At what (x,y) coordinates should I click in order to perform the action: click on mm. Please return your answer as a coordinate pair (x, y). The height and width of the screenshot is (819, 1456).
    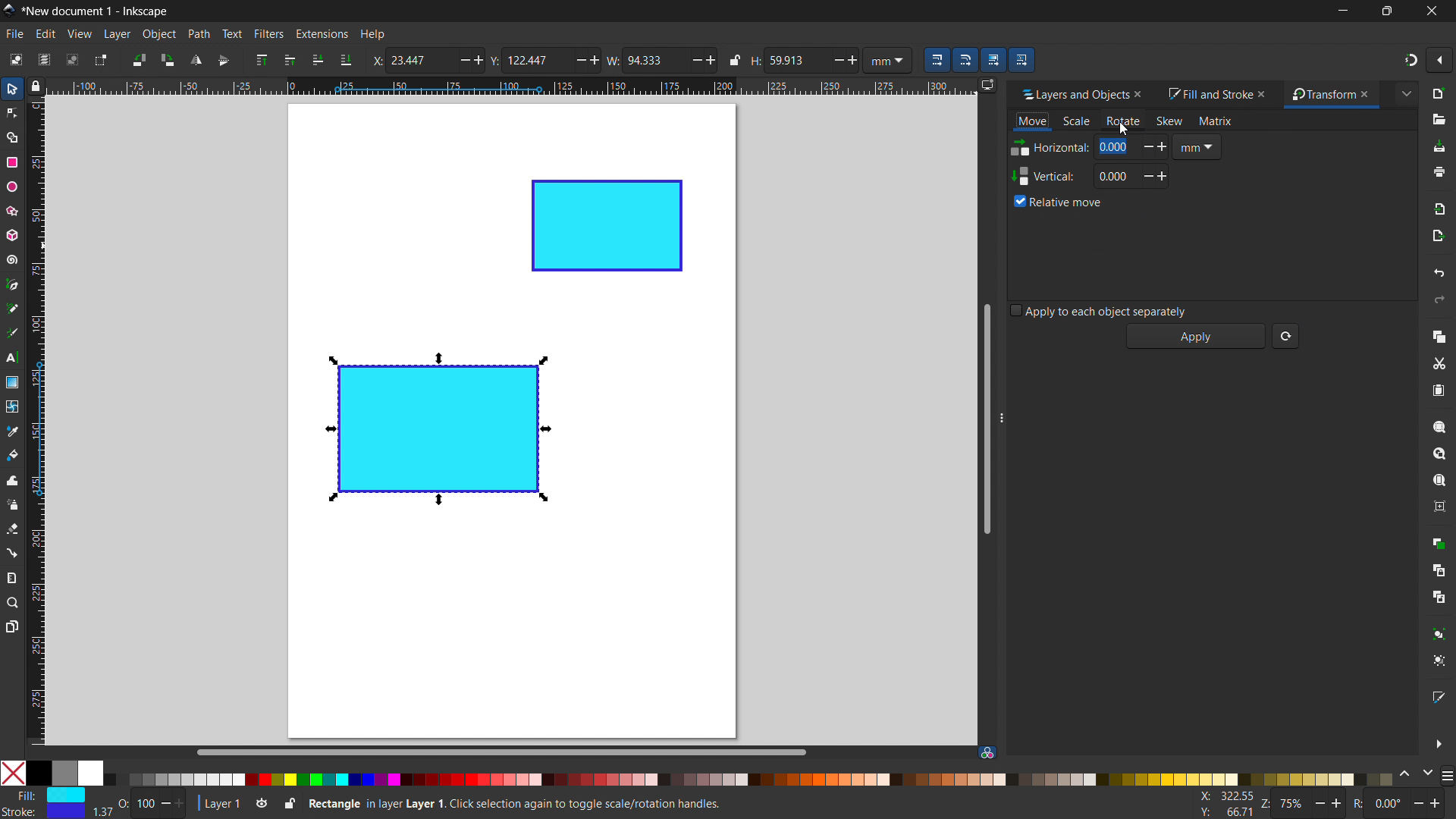
    Looking at the image, I should click on (1198, 147).